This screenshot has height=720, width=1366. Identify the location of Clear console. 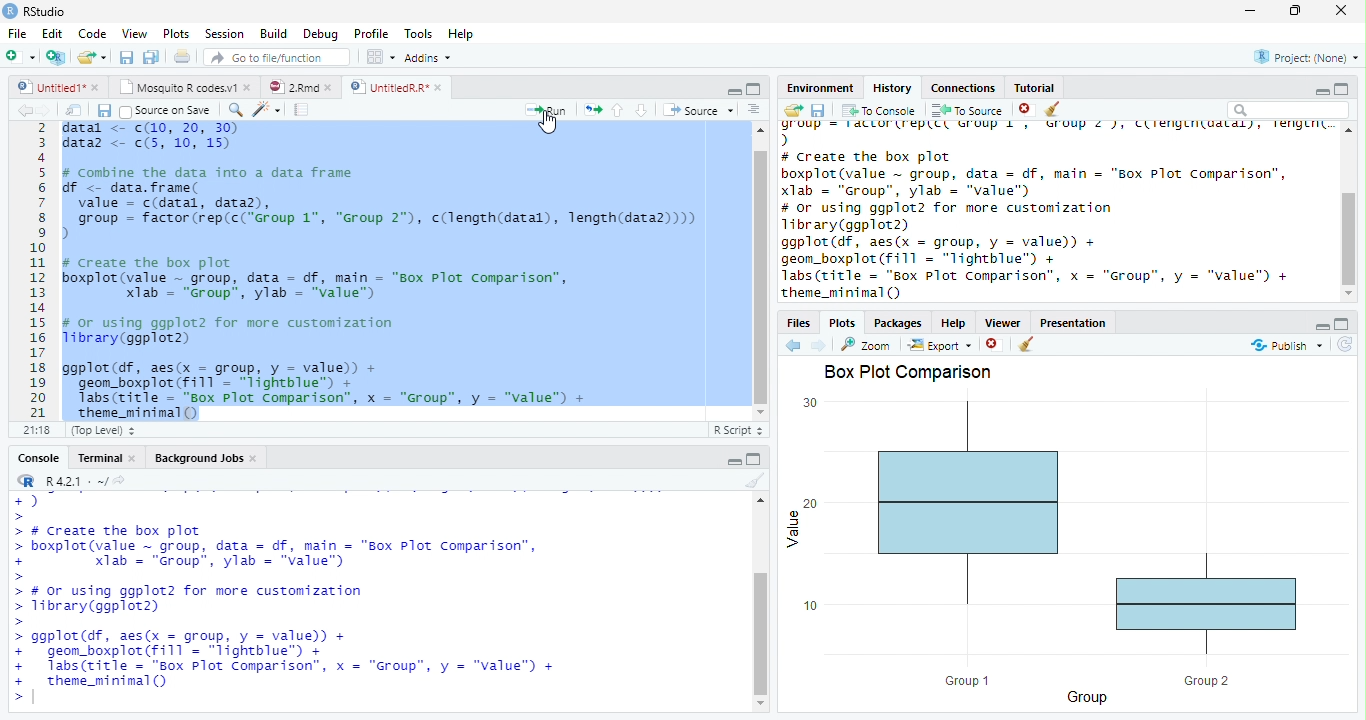
(756, 480).